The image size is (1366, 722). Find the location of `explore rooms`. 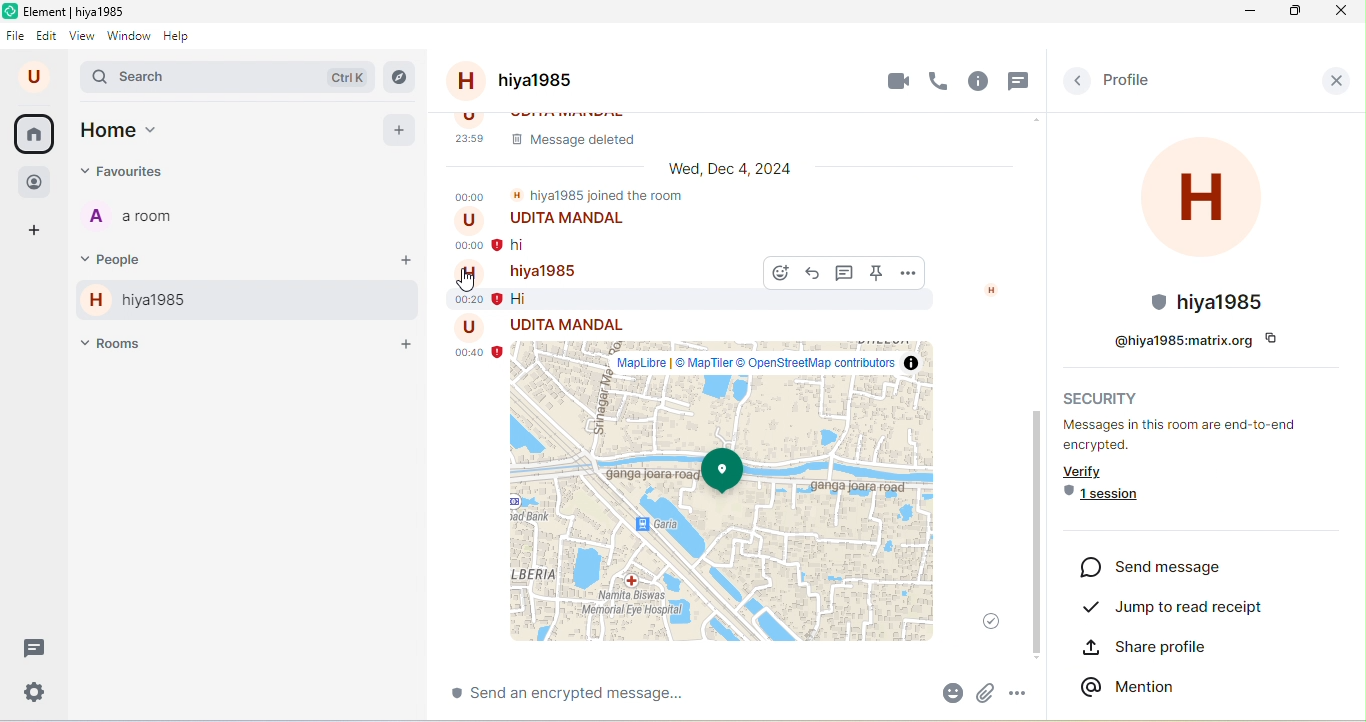

explore rooms is located at coordinates (399, 78).